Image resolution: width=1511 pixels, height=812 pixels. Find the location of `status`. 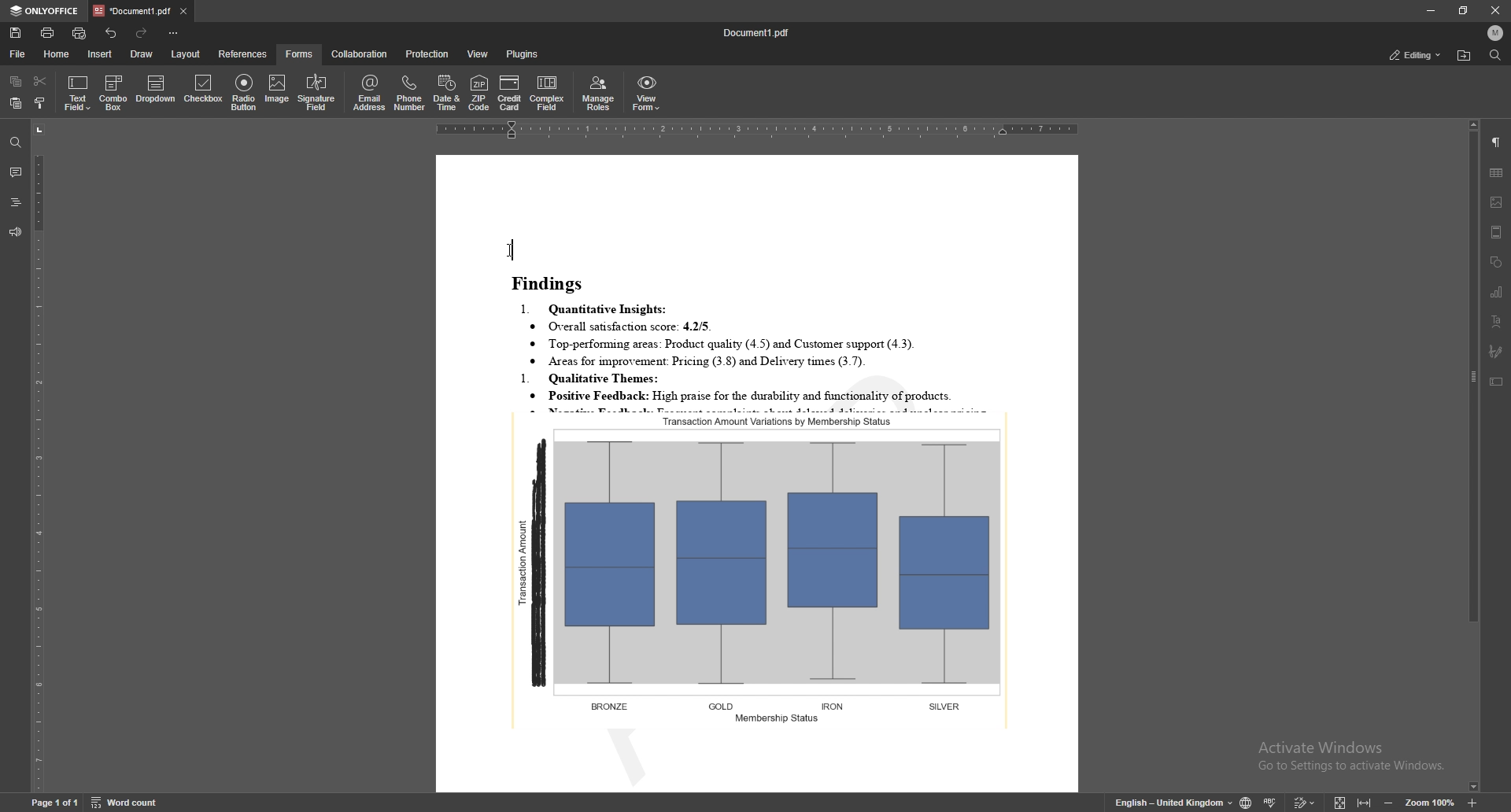

status is located at coordinates (1416, 55).